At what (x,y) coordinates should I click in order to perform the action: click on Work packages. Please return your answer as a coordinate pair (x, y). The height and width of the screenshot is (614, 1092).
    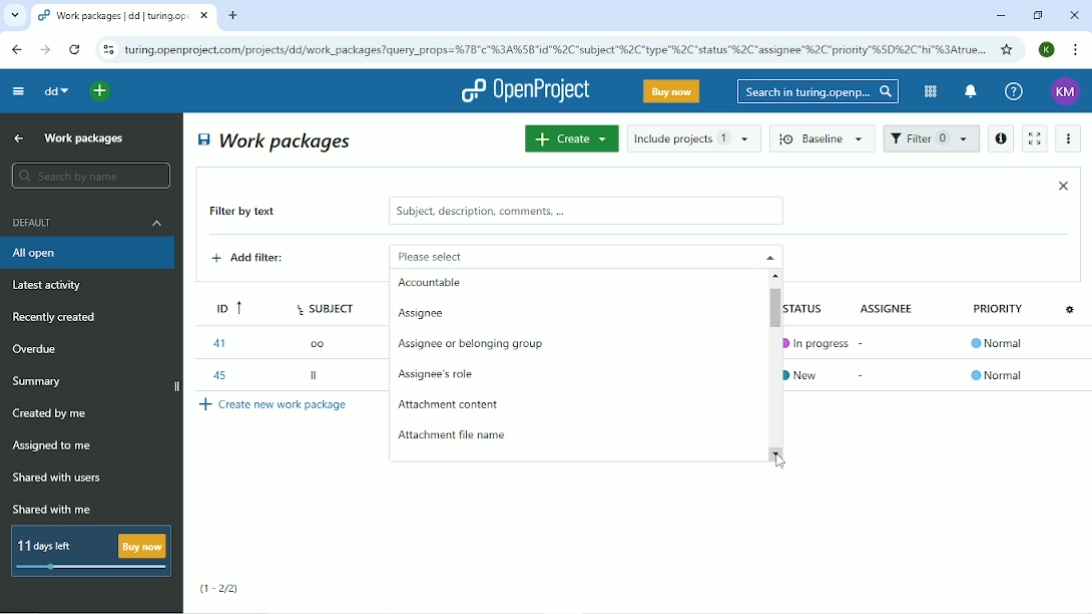
    Looking at the image, I should click on (276, 140).